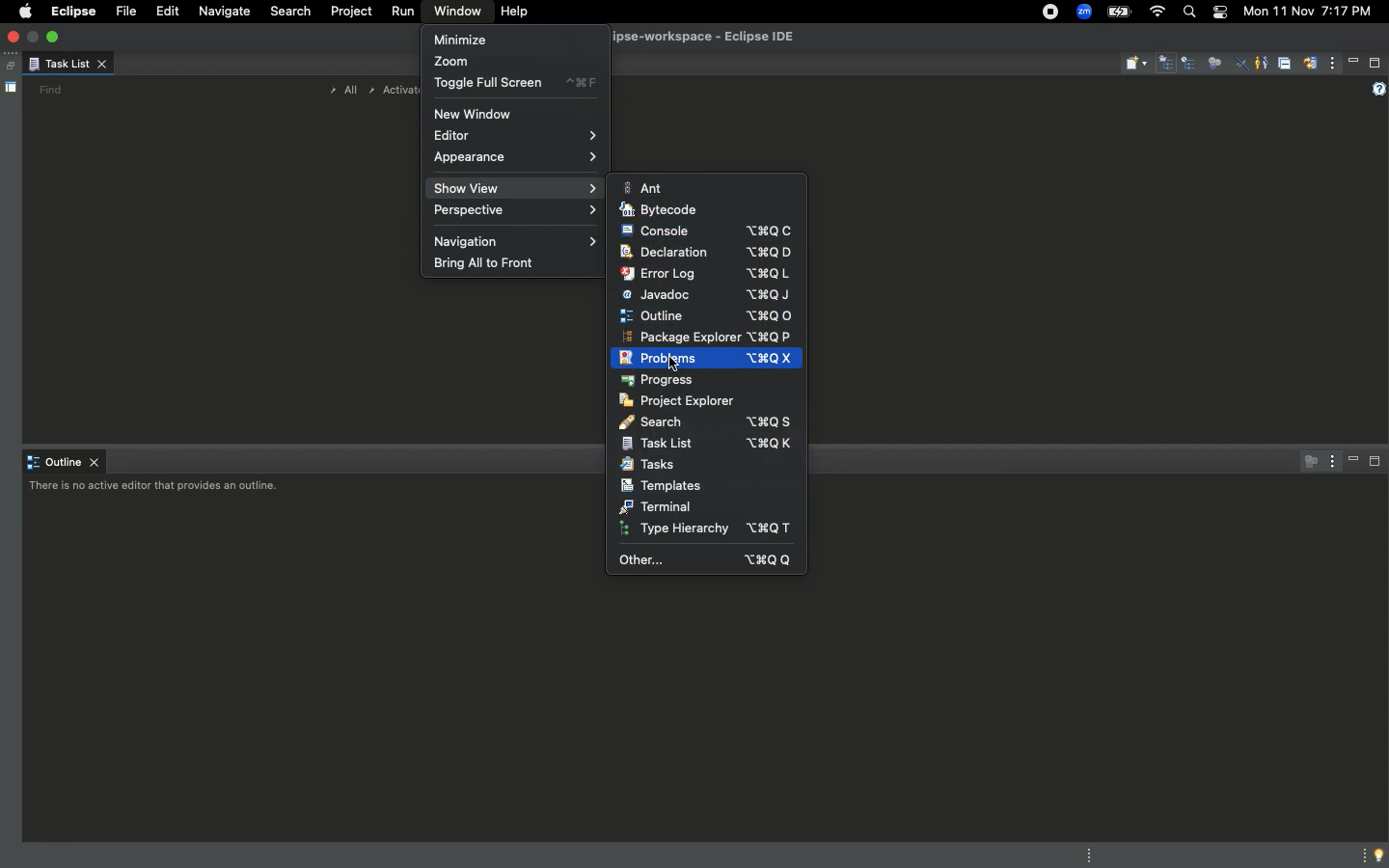 This screenshot has height=868, width=1389. What do you see at coordinates (1217, 12) in the screenshot?
I see `Notification ` at bounding box center [1217, 12].